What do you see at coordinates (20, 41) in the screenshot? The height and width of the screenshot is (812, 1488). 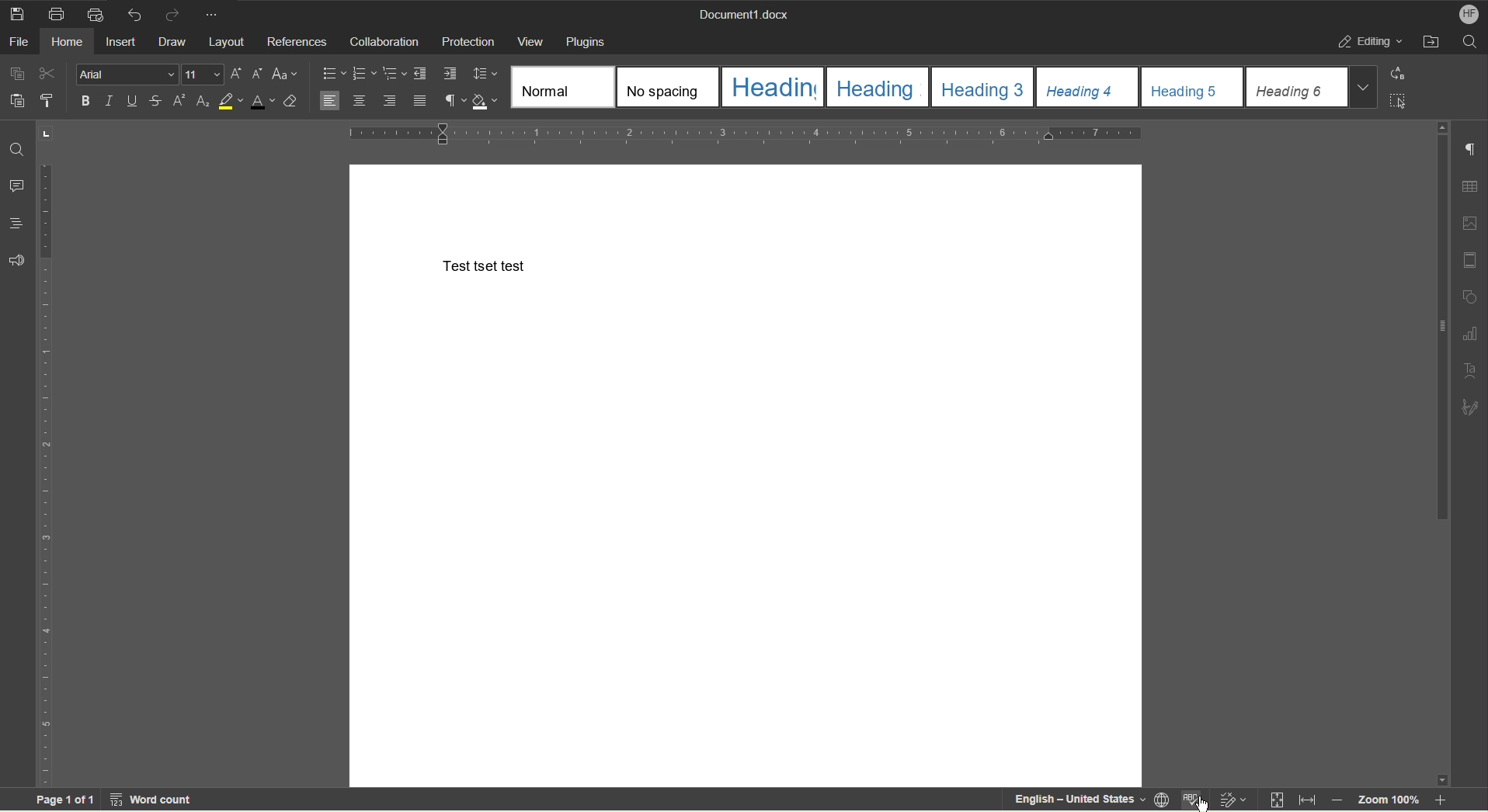 I see `File` at bounding box center [20, 41].